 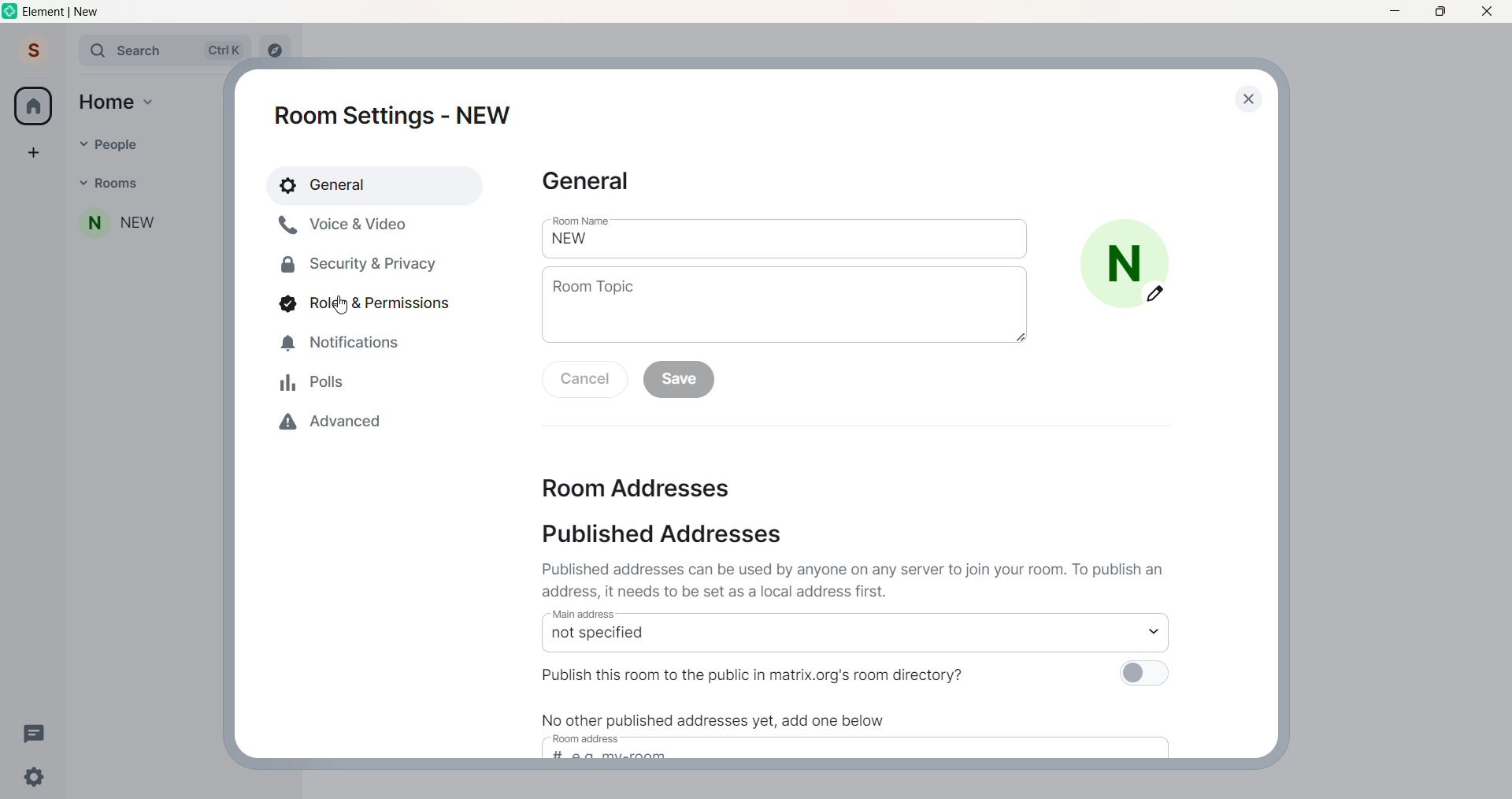 What do you see at coordinates (1391, 12) in the screenshot?
I see `minimize` at bounding box center [1391, 12].